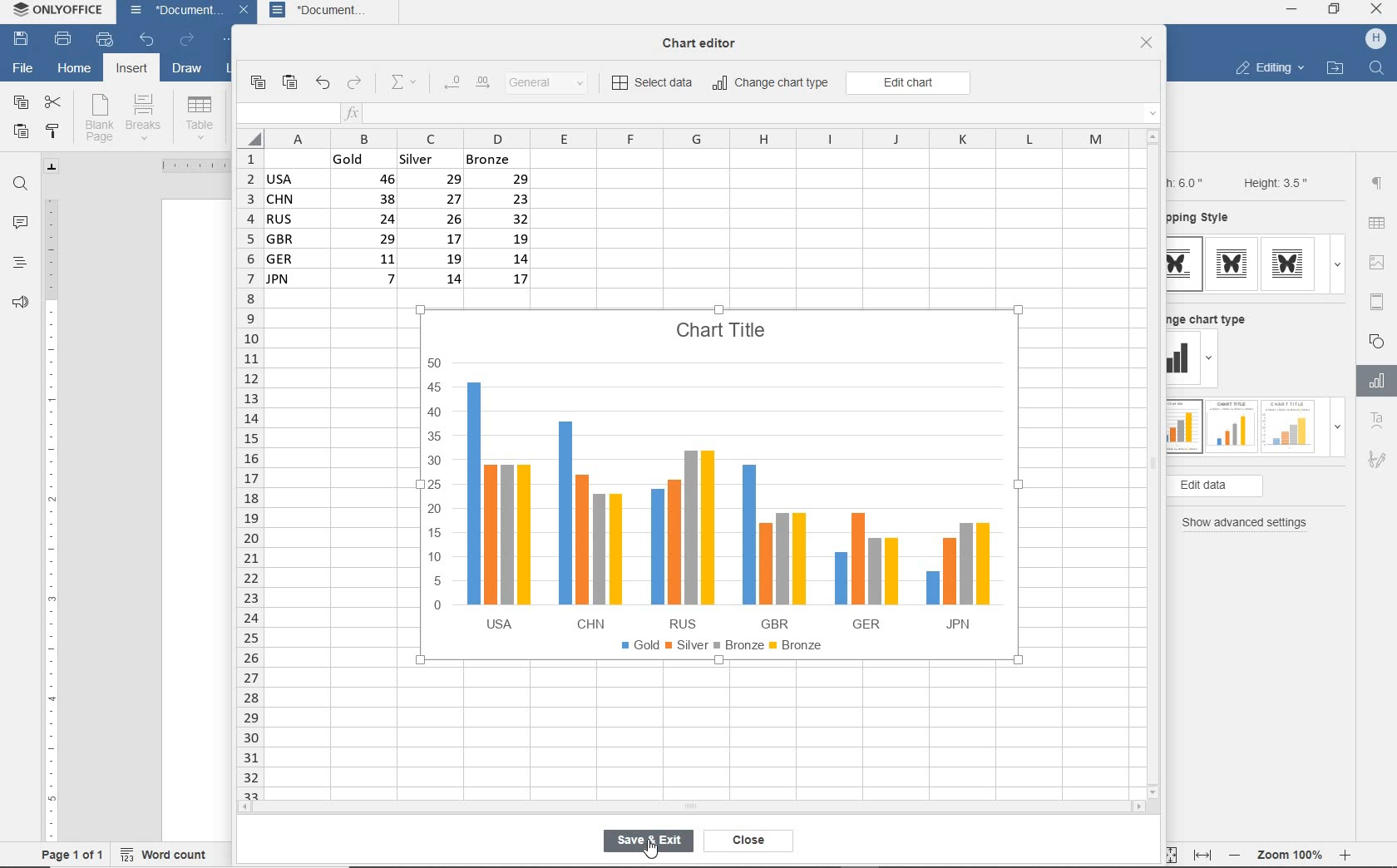  I want to click on image, so click(1380, 262).